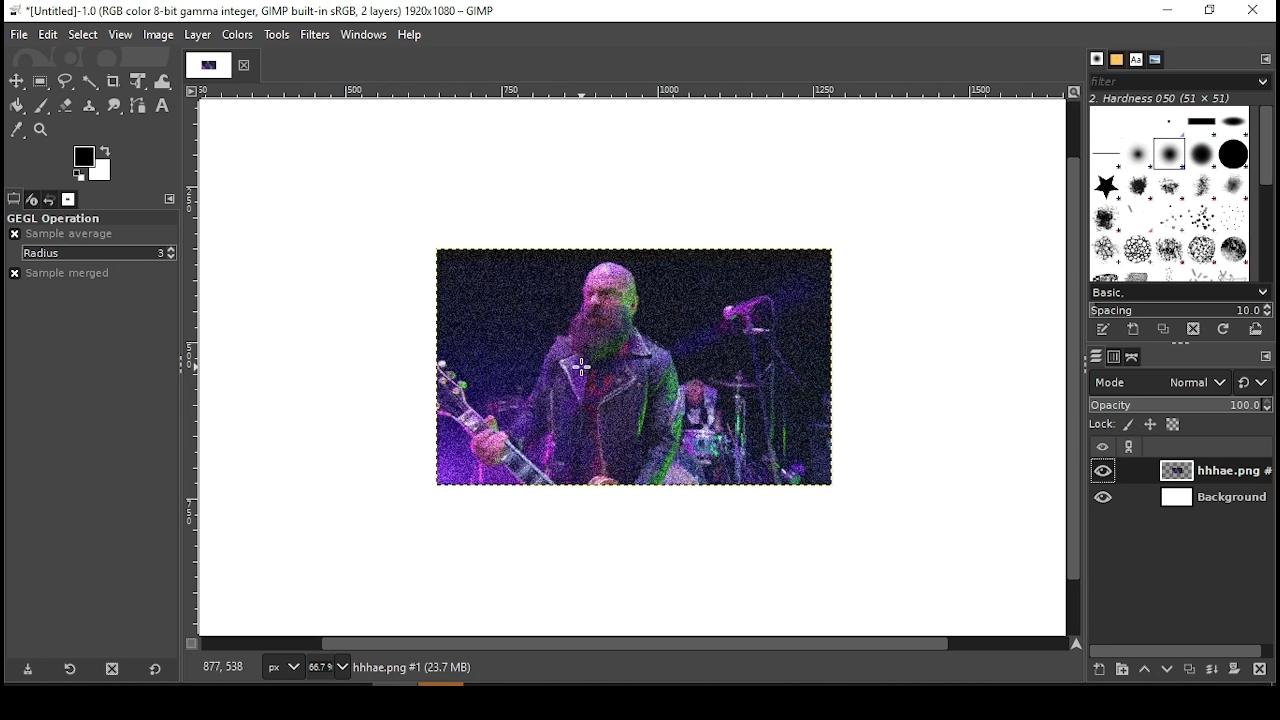  I want to click on radius, so click(99, 253).